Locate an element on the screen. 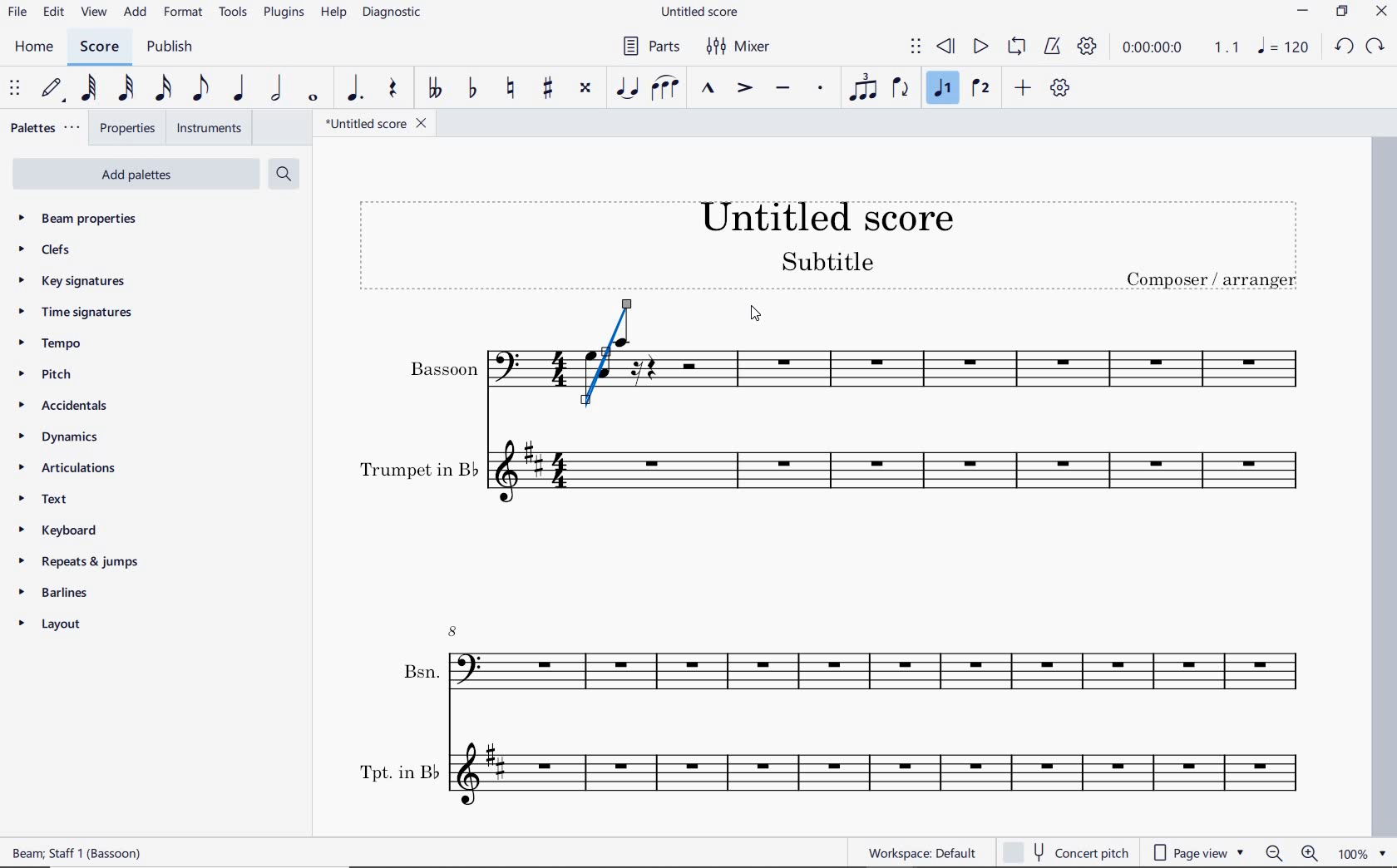 This screenshot has width=1397, height=868. add is located at coordinates (1023, 89).